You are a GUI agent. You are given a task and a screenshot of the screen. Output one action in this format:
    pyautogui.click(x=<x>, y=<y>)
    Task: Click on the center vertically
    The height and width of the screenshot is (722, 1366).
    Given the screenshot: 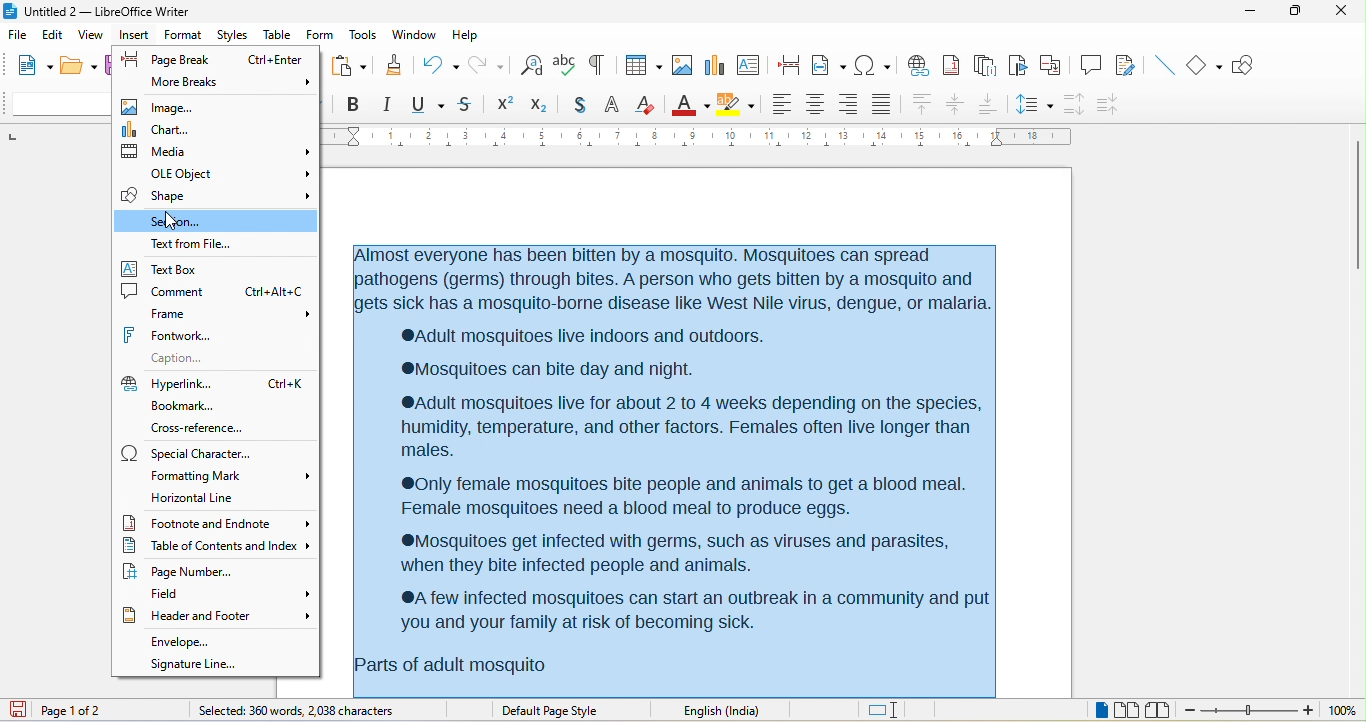 What is the action you would take?
    pyautogui.click(x=955, y=104)
    